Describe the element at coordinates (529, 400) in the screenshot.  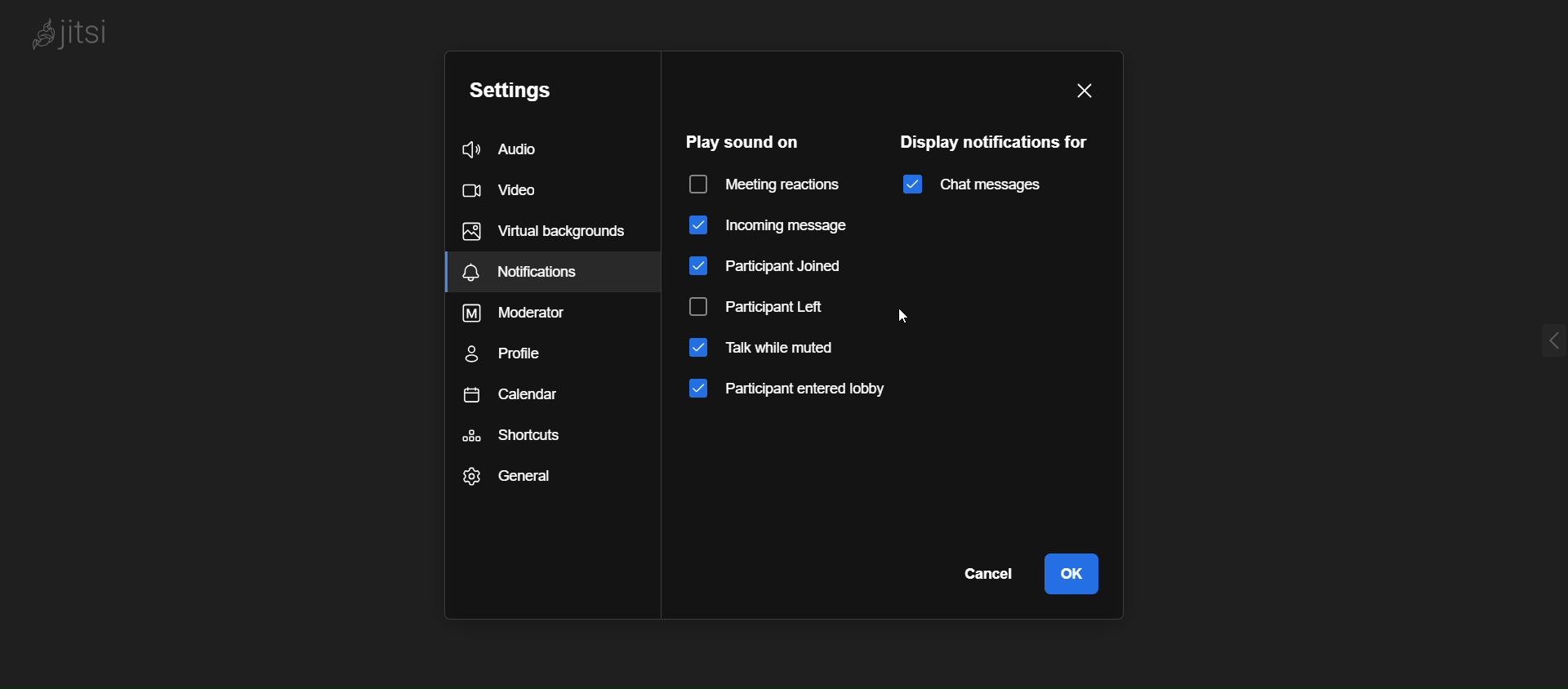
I see `calendar` at that location.